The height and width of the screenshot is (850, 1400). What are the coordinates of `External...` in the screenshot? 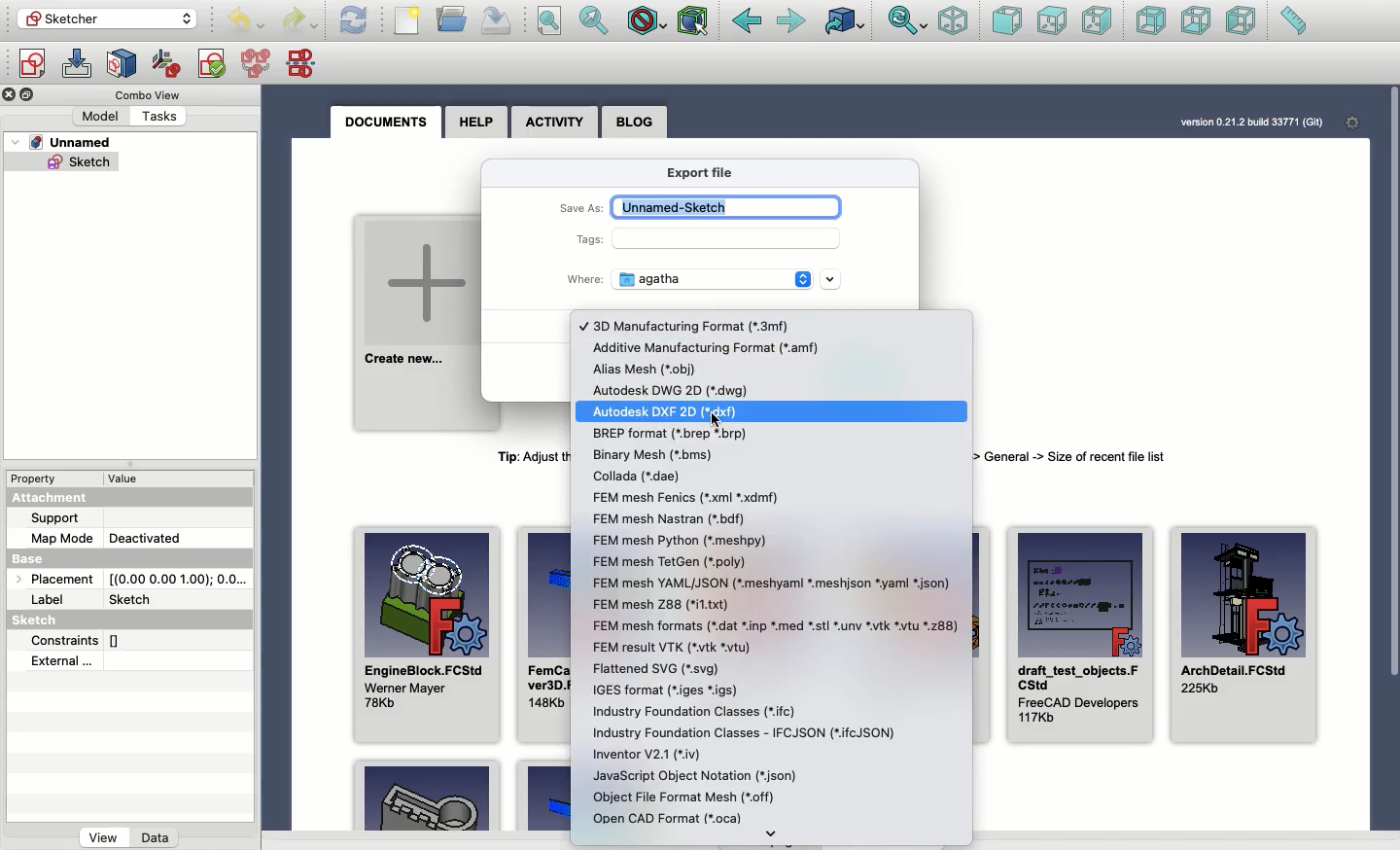 It's located at (114, 662).